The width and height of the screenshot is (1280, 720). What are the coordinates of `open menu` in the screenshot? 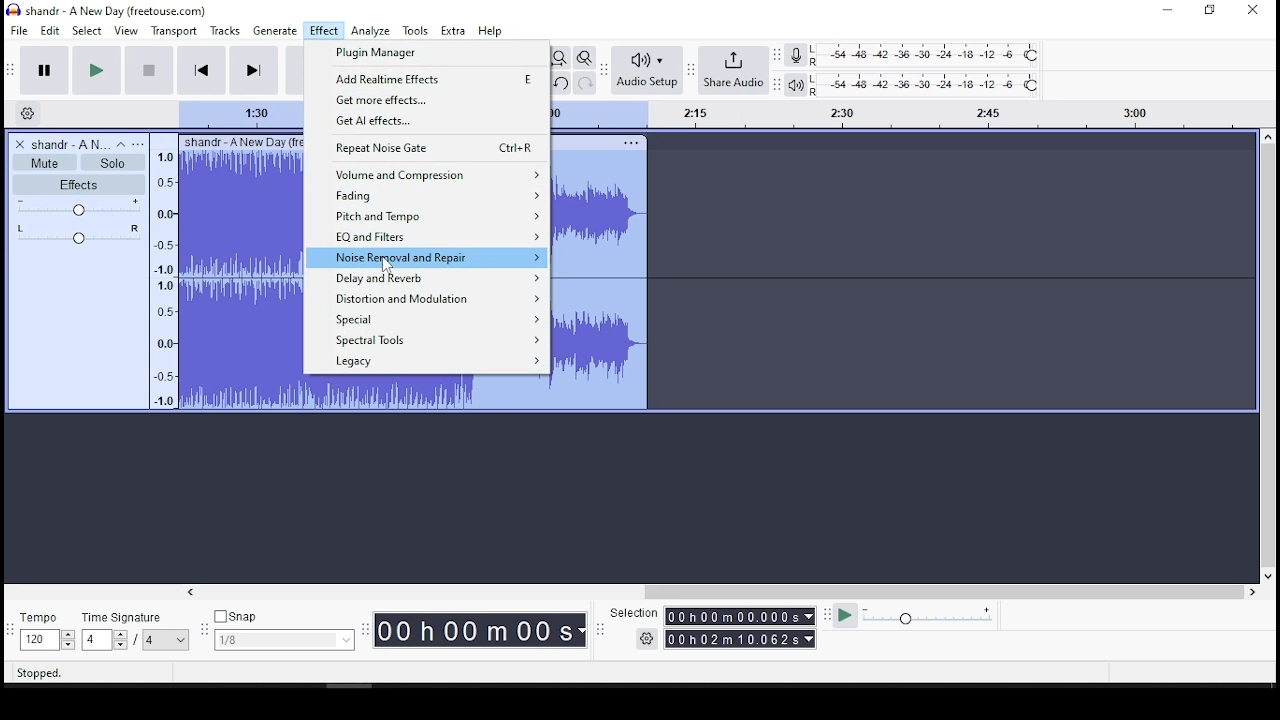 It's located at (140, 143).